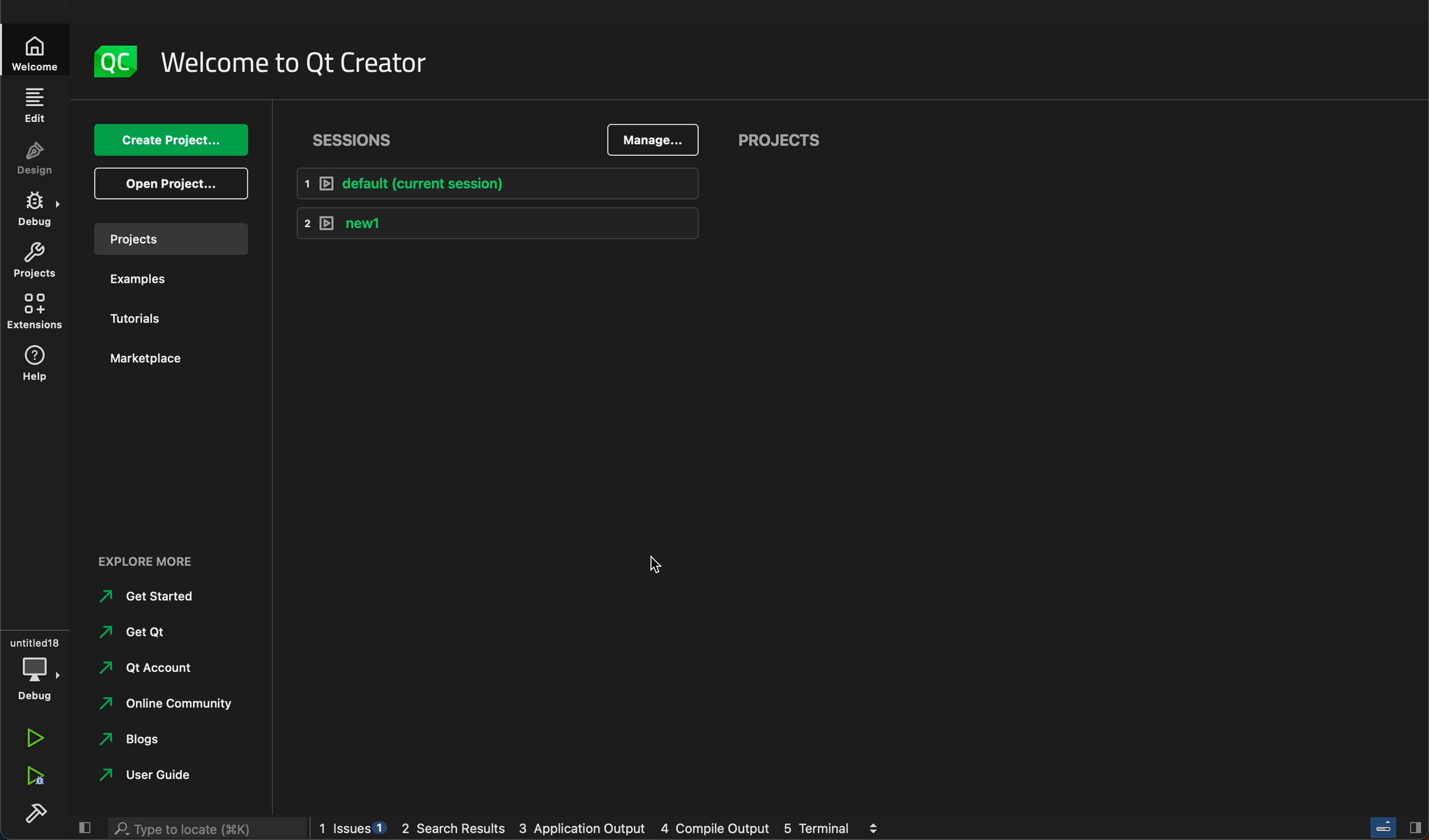 This screenshot has height=840, width=1429. Describe the element at coordinates (151, 357) in the screenshot. I see `marketplace` at that location.